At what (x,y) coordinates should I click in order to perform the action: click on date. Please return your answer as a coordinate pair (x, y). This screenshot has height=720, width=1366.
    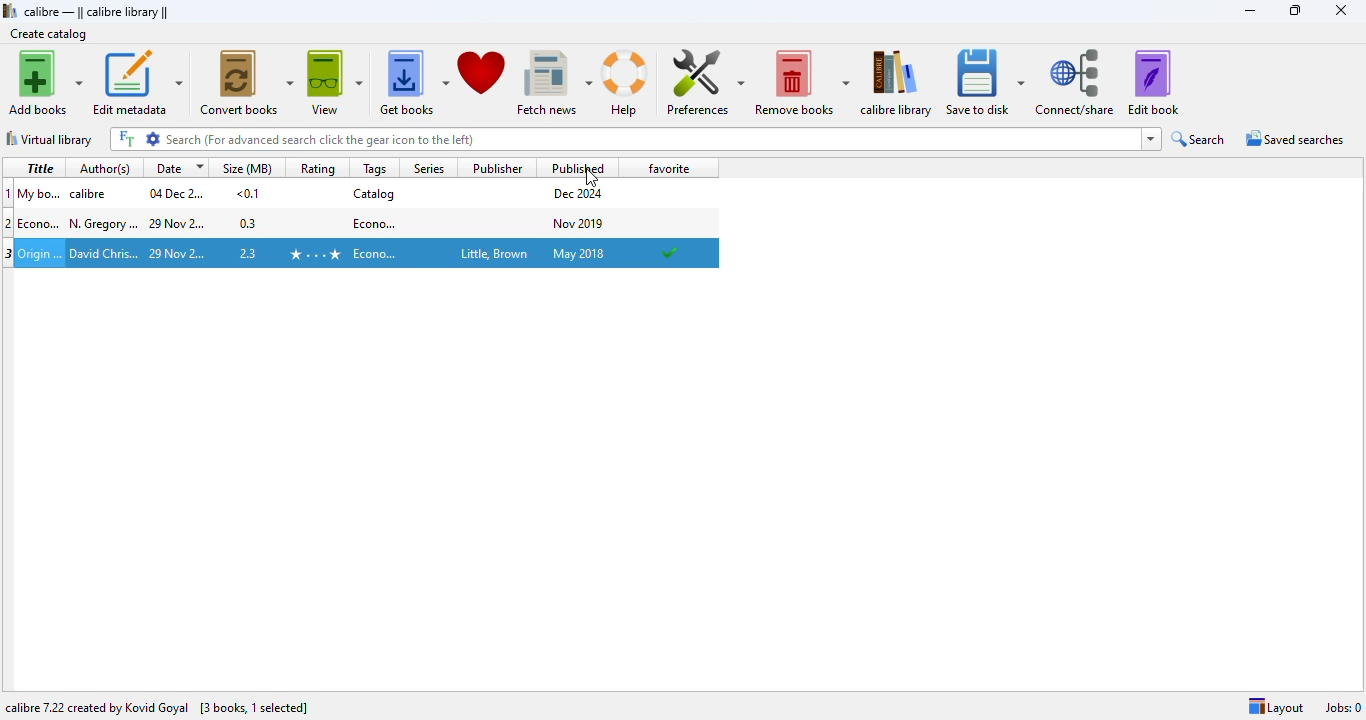
    Looking at the image, I should click on (177, 253).